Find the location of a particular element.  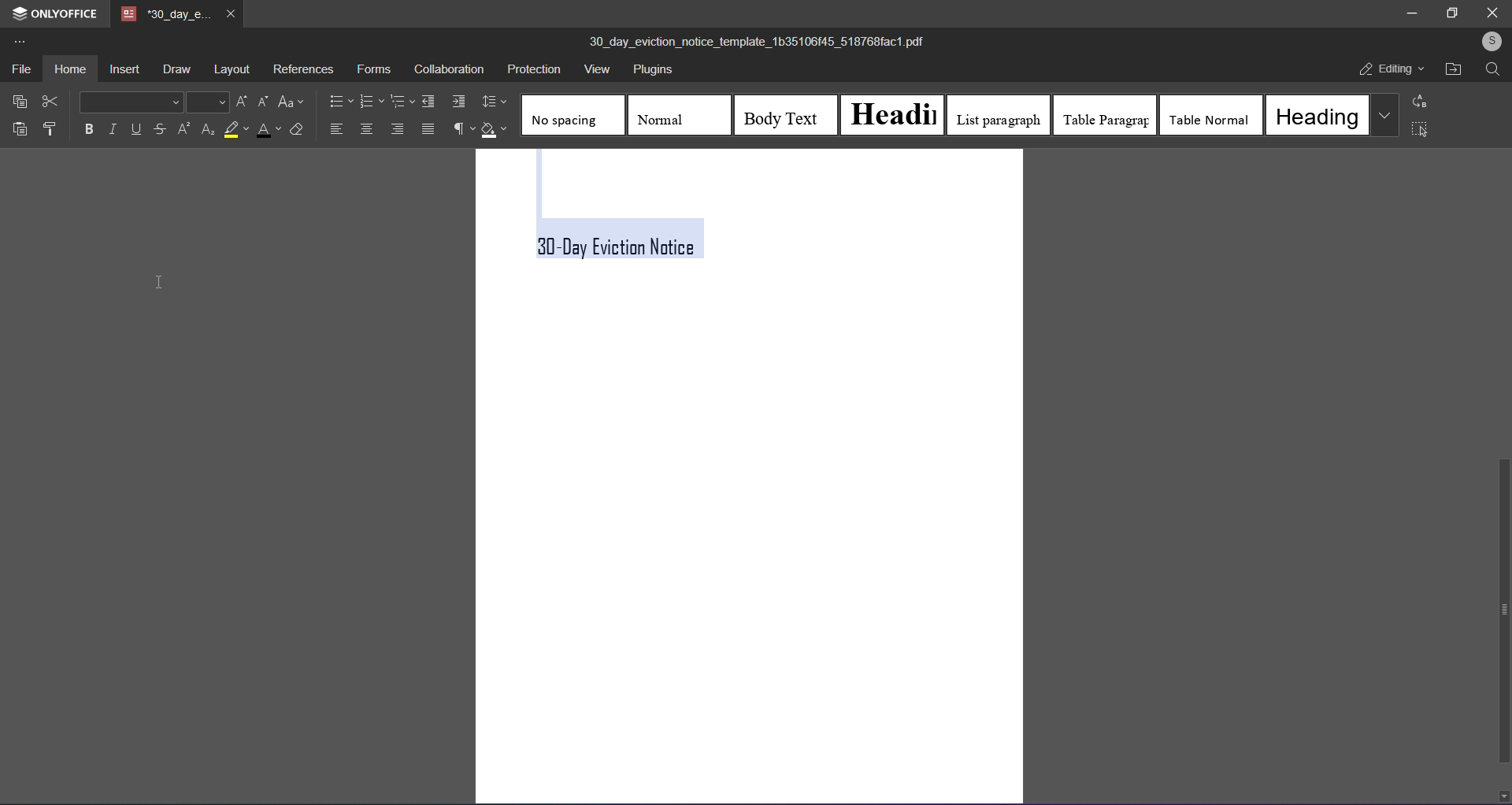

(title) 30_day_eviction_notice_template_1b35106/45_518768fact.pdf is located at coordinates (765, 42).